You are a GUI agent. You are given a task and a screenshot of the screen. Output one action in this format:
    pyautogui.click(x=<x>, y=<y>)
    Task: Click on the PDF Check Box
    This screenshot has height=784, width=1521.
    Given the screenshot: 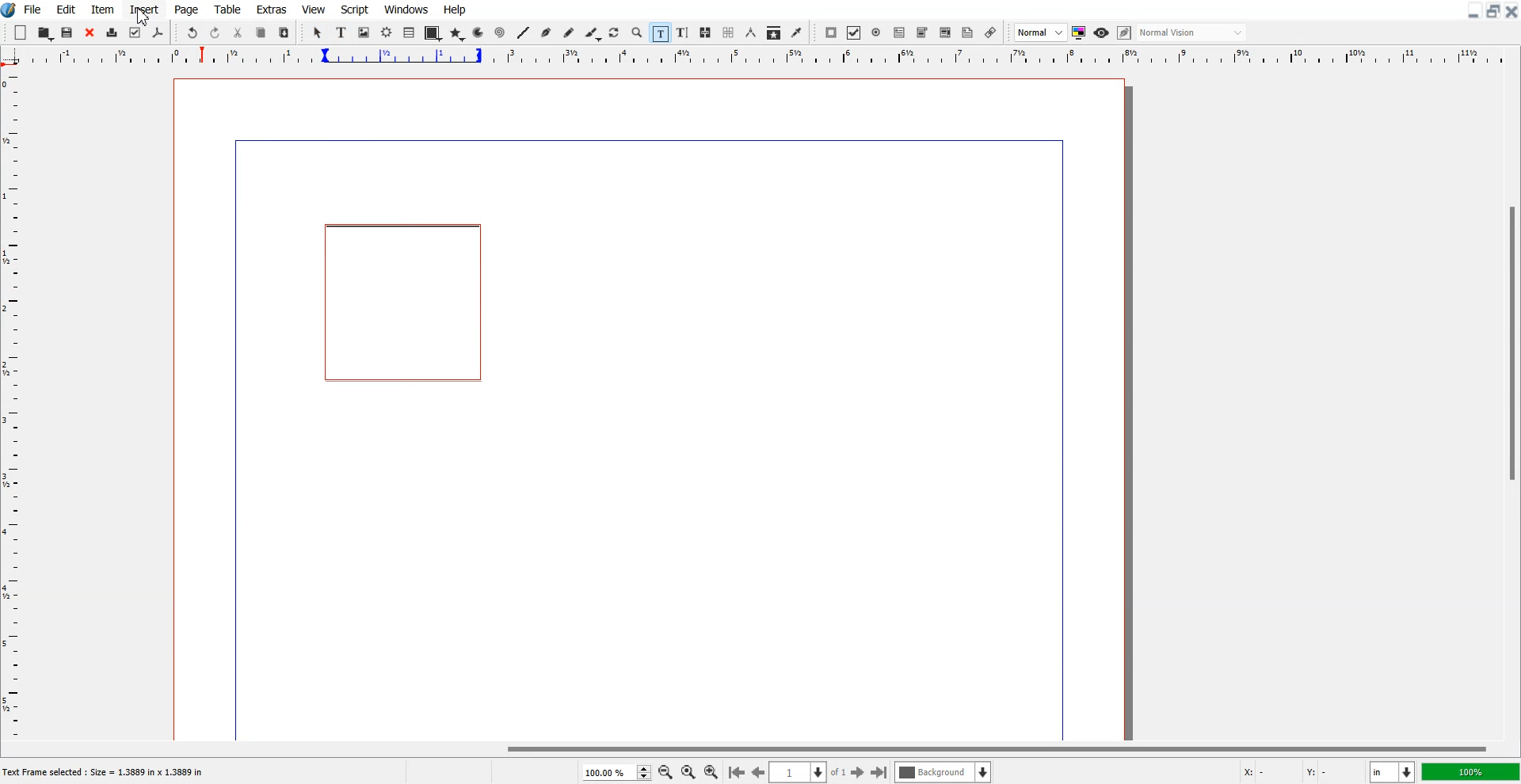 What is the action you would take?
    pyautogui.click(x=854, y=33)
    